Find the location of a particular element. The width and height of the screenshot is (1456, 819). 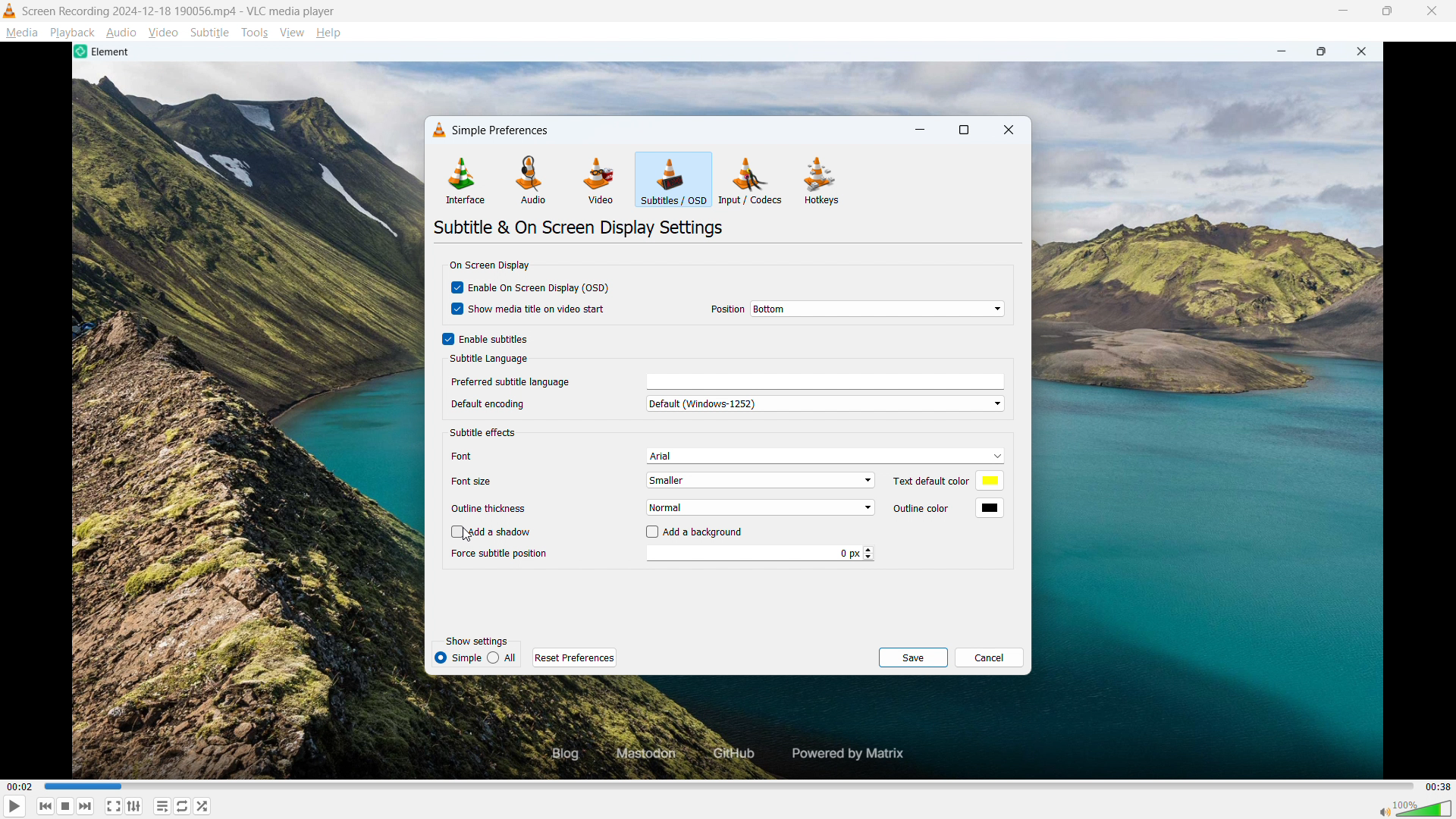

position is located at coordinates (721, 309).